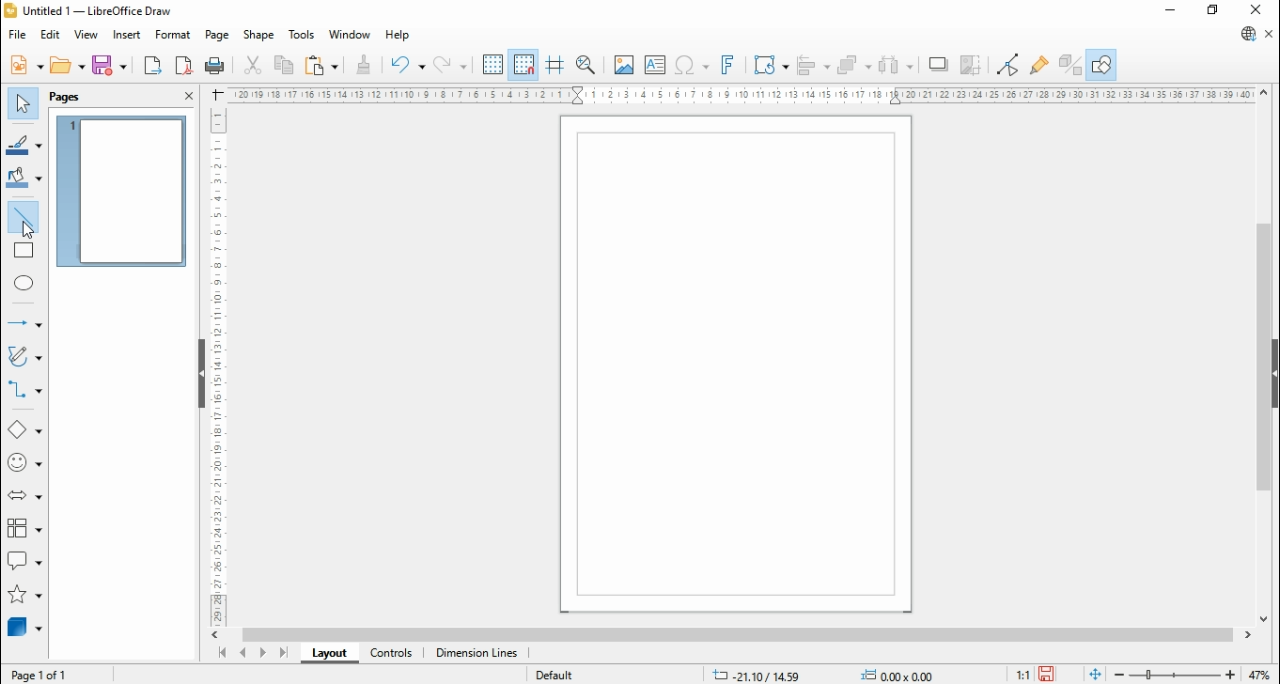 The height and width of the screenshot is (684, 1280). What do you see at coordinates (259, 35) in the screenshot?
I see `shape` at bounding box center [259, 35].